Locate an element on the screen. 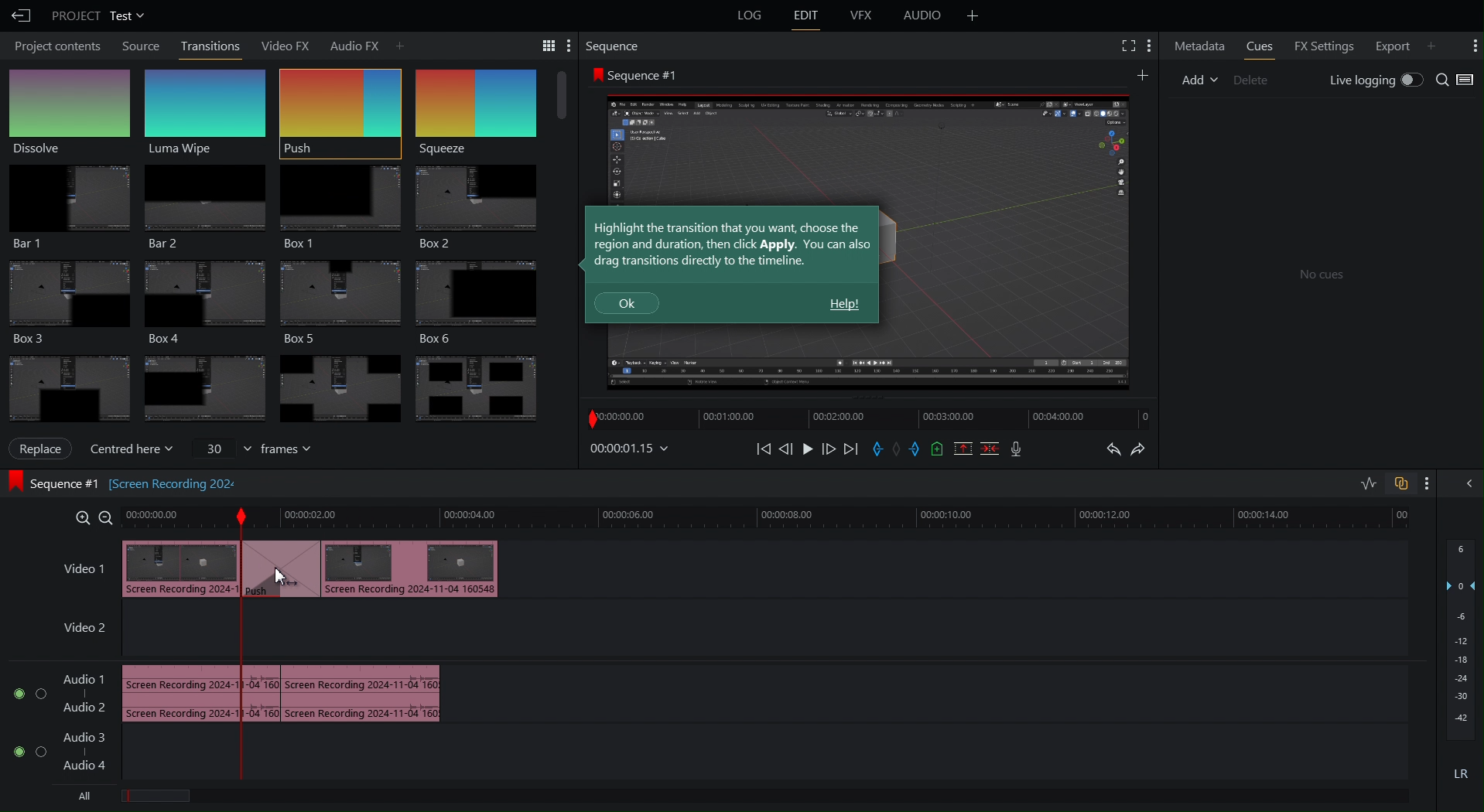  Exit Marker is located at coordinates (919, 452).